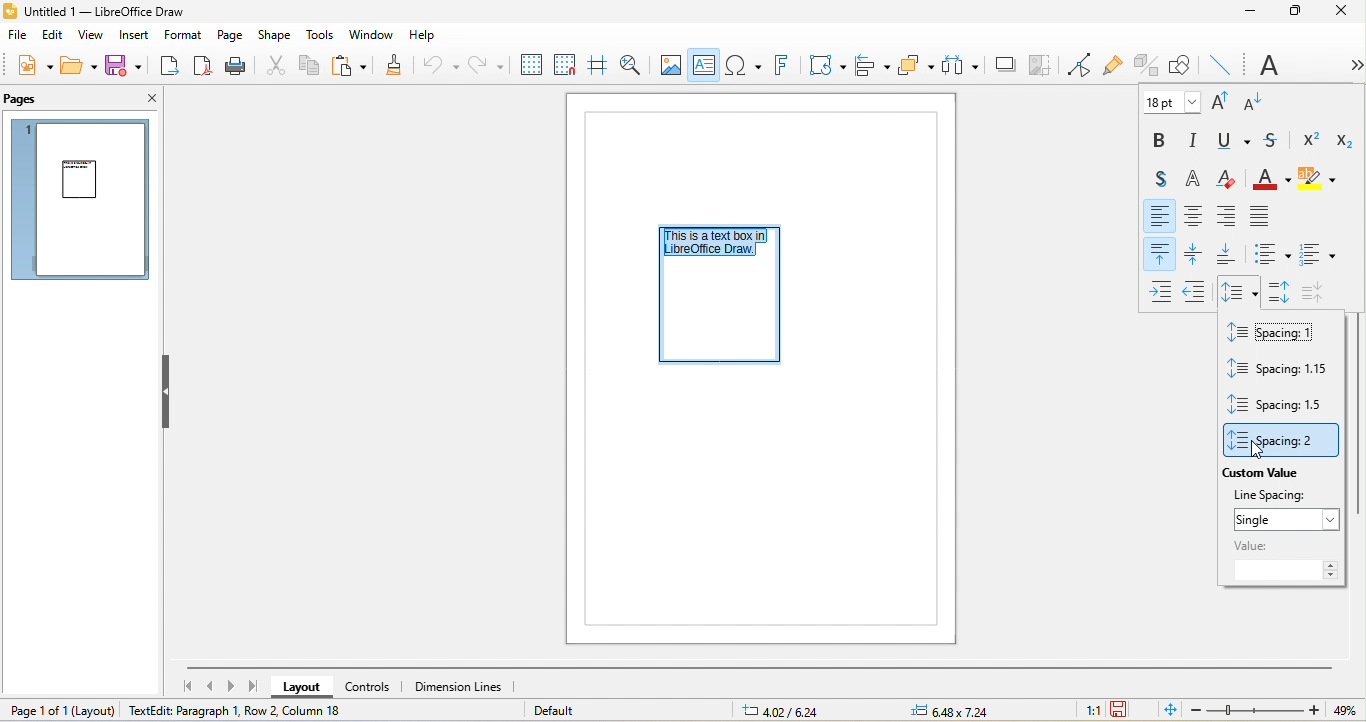 Image resolution: width=1366 pixels, height=722 pixels. Describe the element at coordinates (1275, 139) in the screenshot. I see `strikethrough` at that location.